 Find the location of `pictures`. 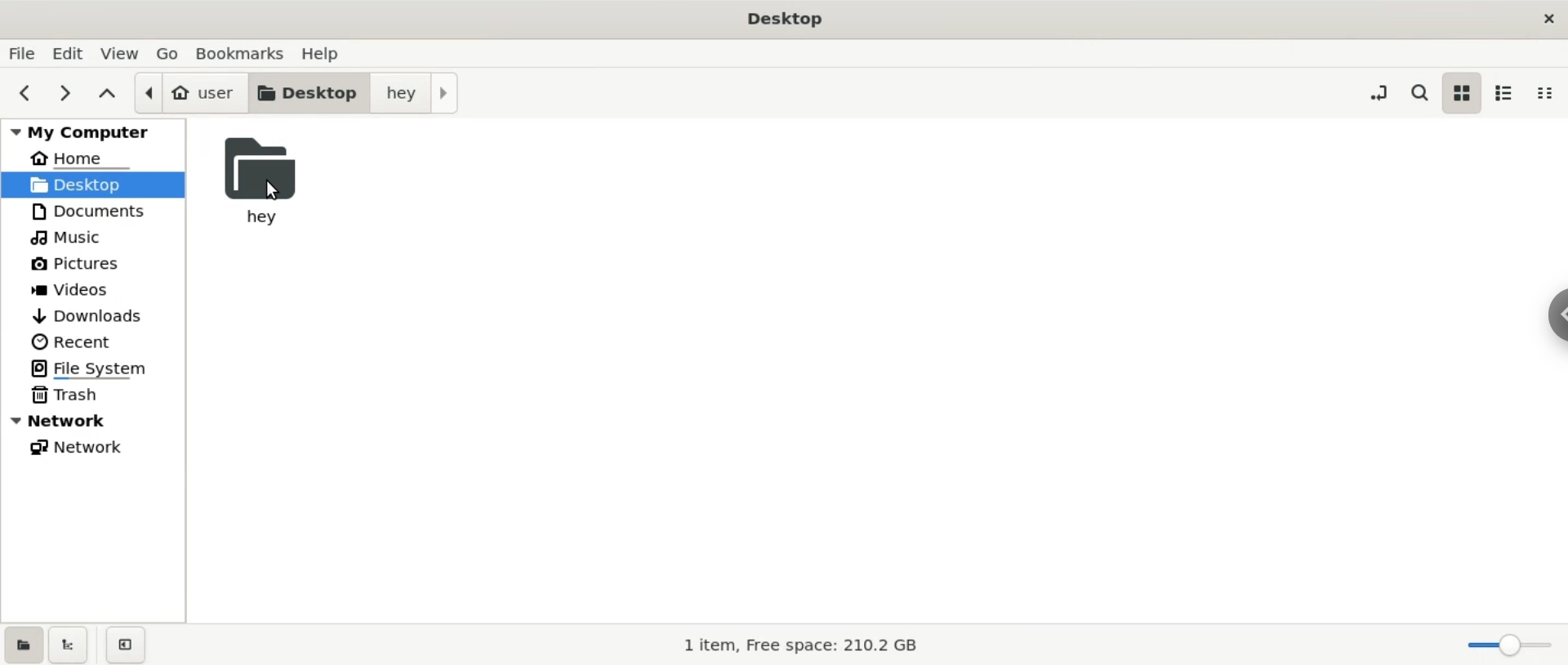

pictures is located at coordinates (100, 263).